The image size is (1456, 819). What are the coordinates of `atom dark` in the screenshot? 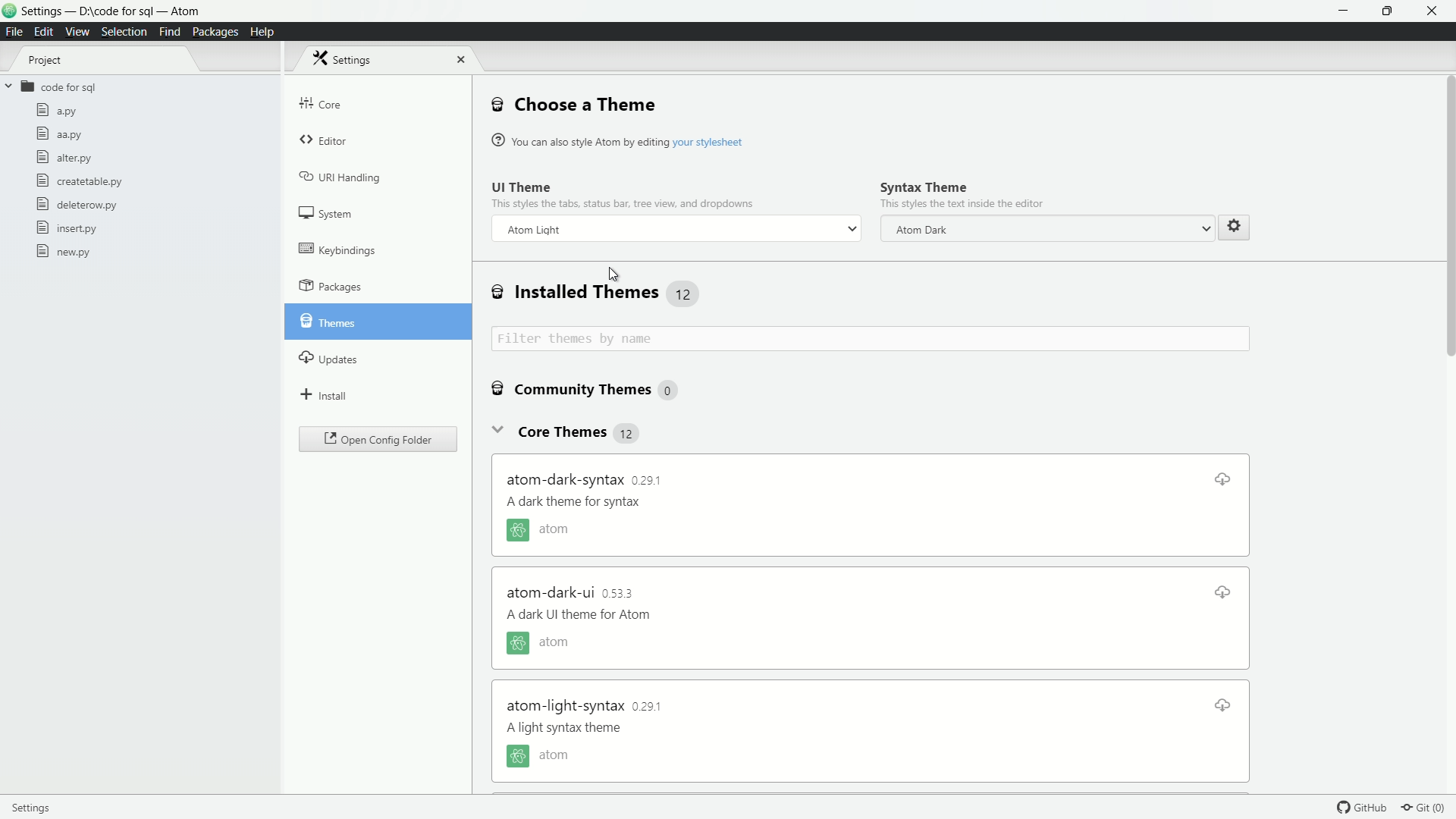 It's located at (535, 229).